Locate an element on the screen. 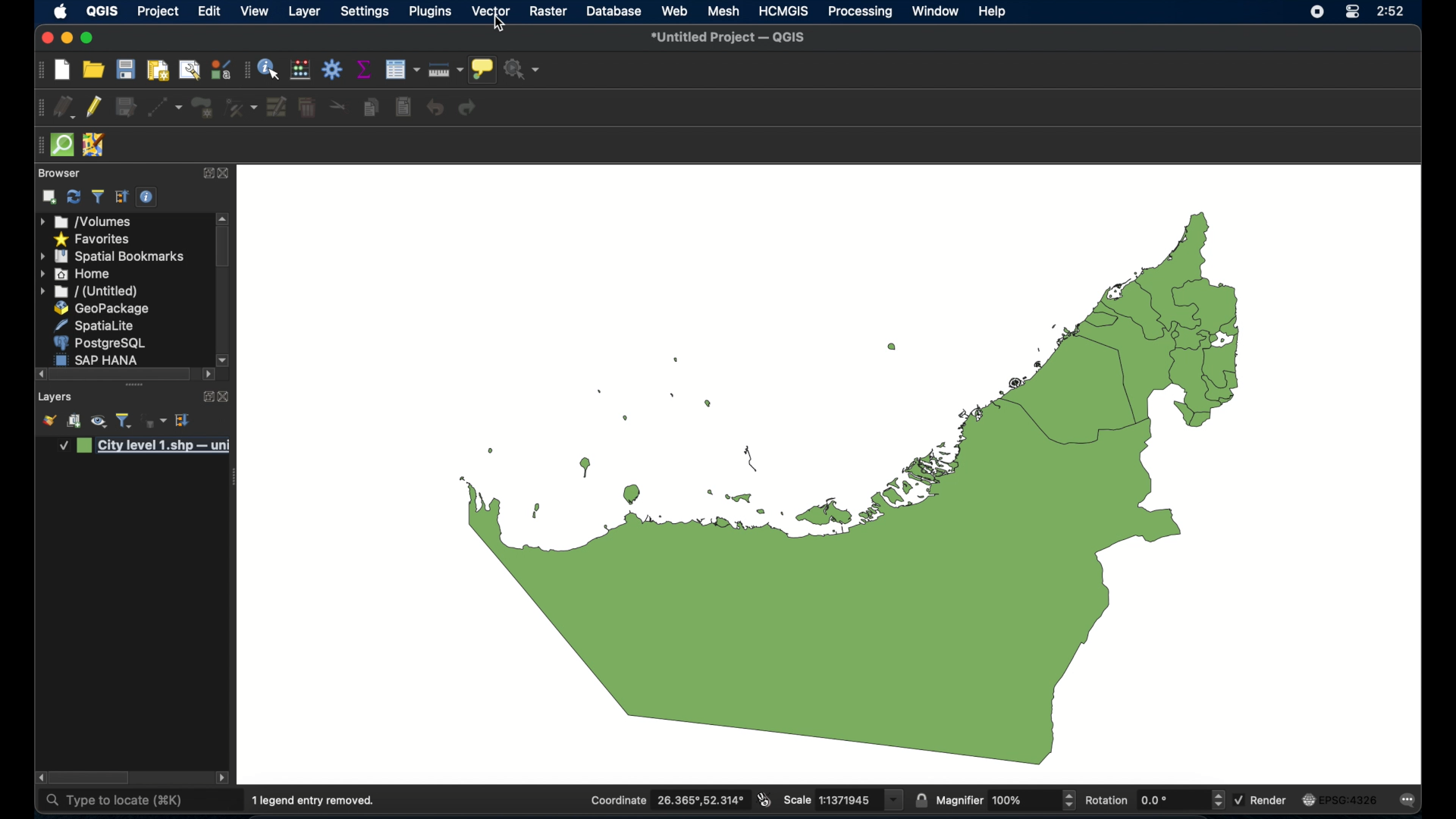  filter legend is located at coordinates (97, 197).